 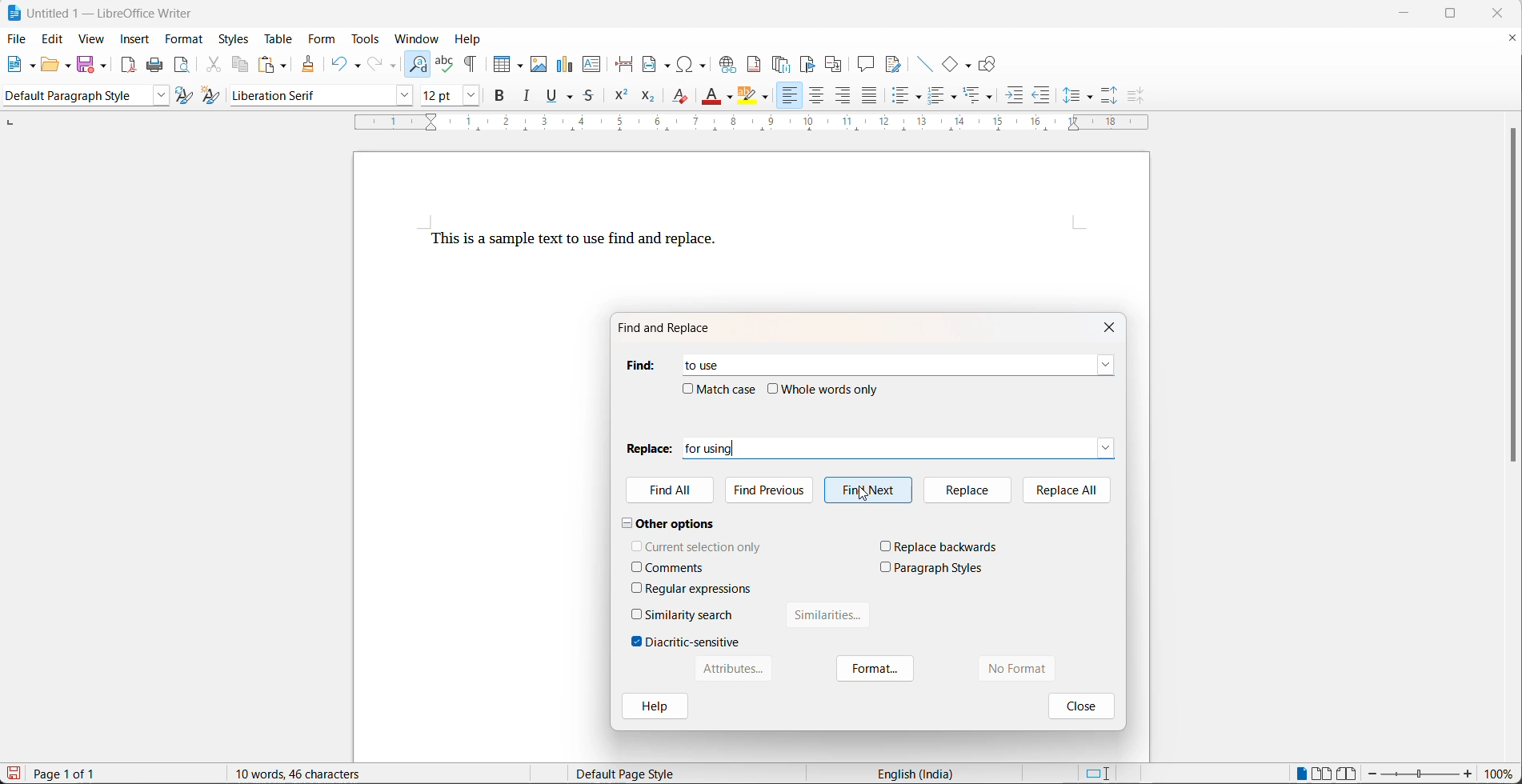 I want to click on update selected style, so click(x=185, y=96).